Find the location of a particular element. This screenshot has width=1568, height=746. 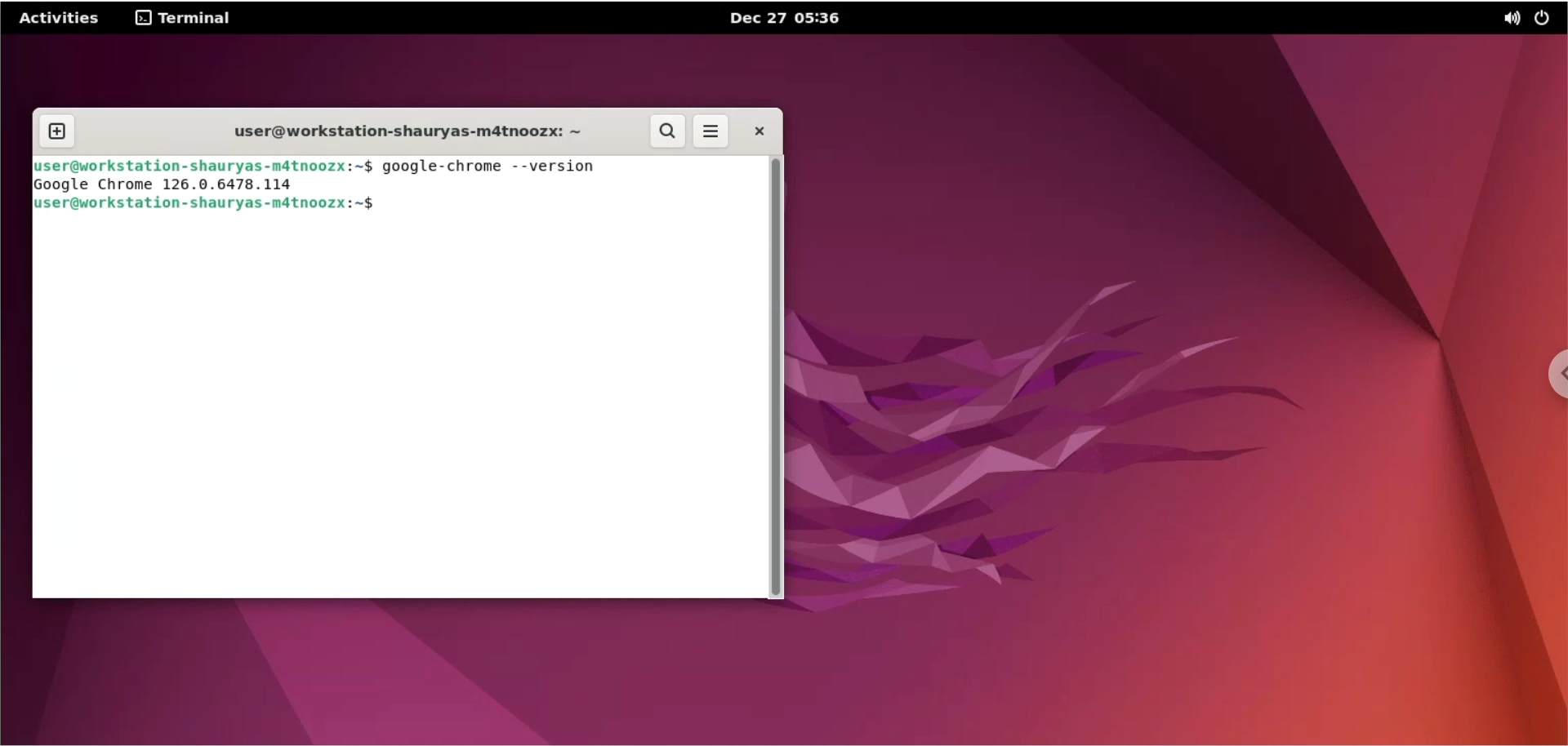

user@workstation-shauryas-m4tnoozx: $ is located at coordinates (203, 163).